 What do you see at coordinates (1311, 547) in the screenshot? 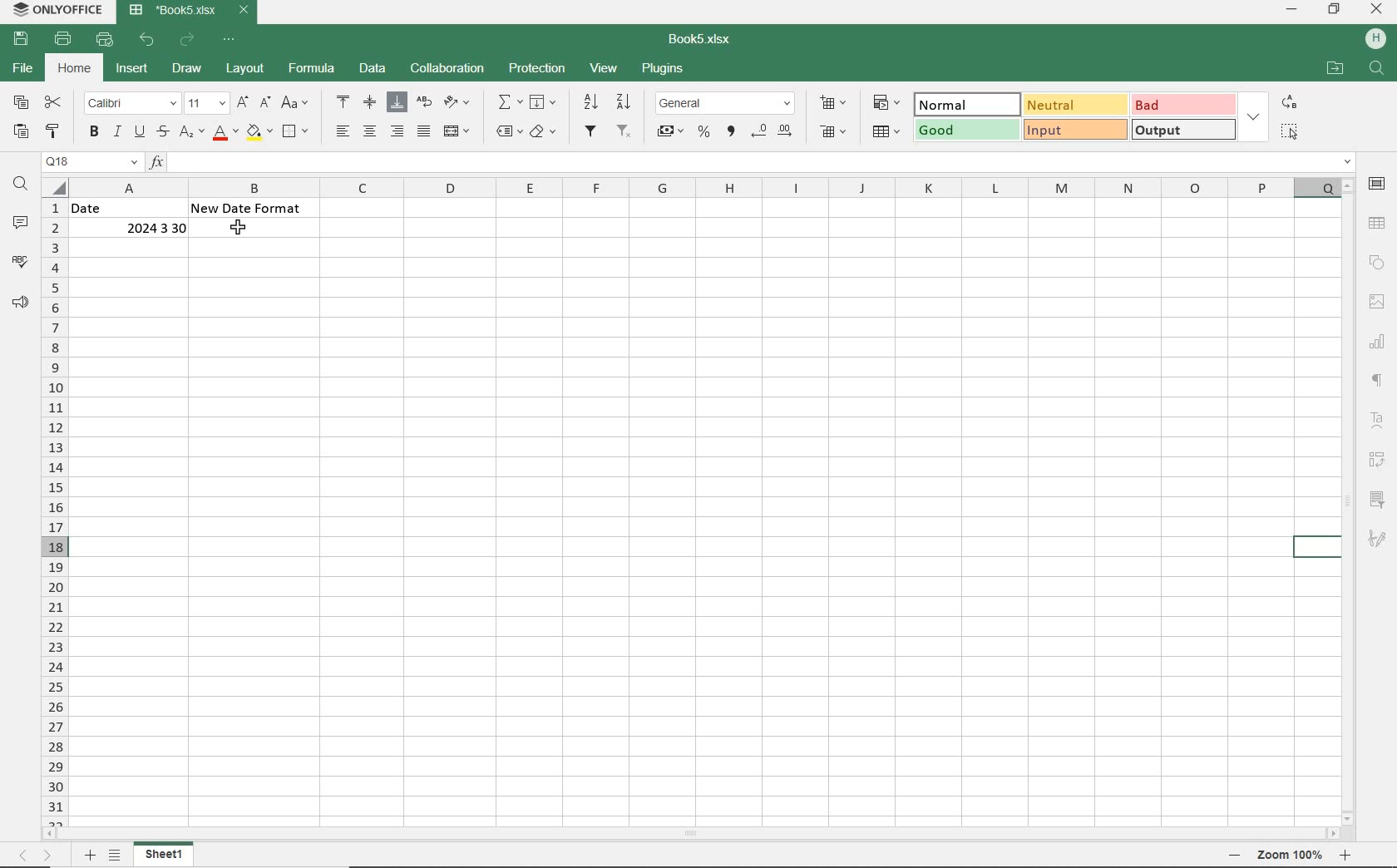
I see `HIGHLIGHTED CELL` at bounding box center [1311, 547].